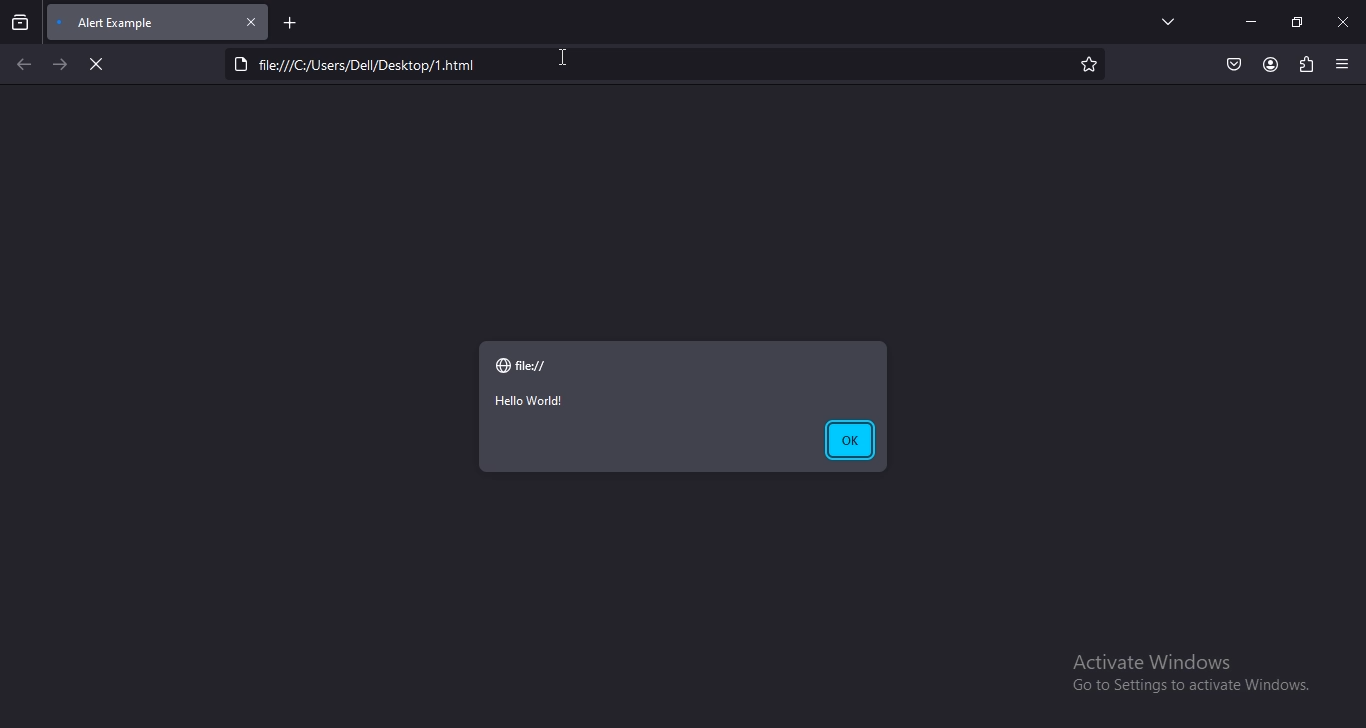  Describe the element at coordinates (126, 21) in the screenshot. I see `alert example` at that location.